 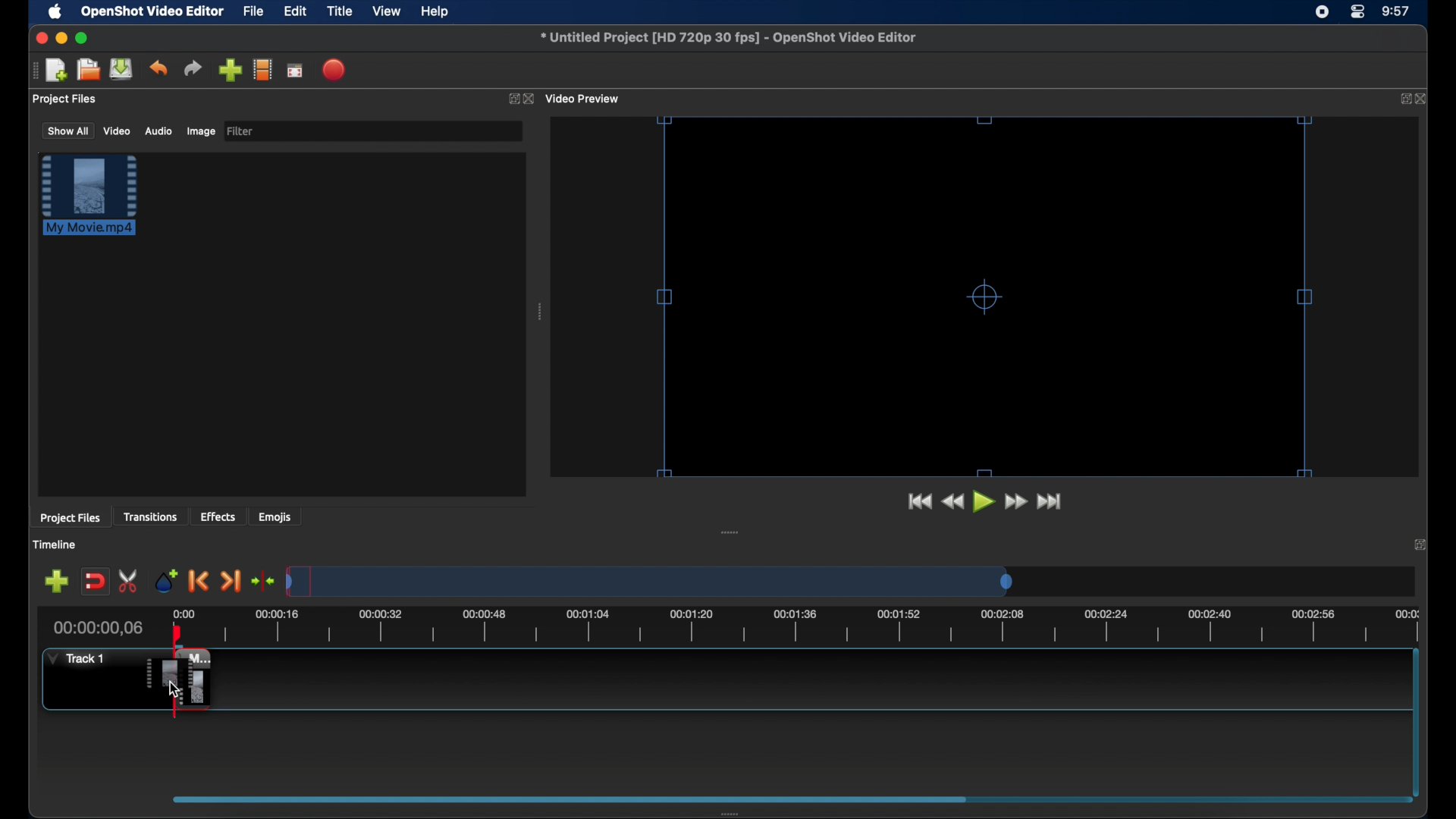 What do you see at coordinates (584, 99) in the screenshot?
I see `video preview` at bounding box center [584, 99].